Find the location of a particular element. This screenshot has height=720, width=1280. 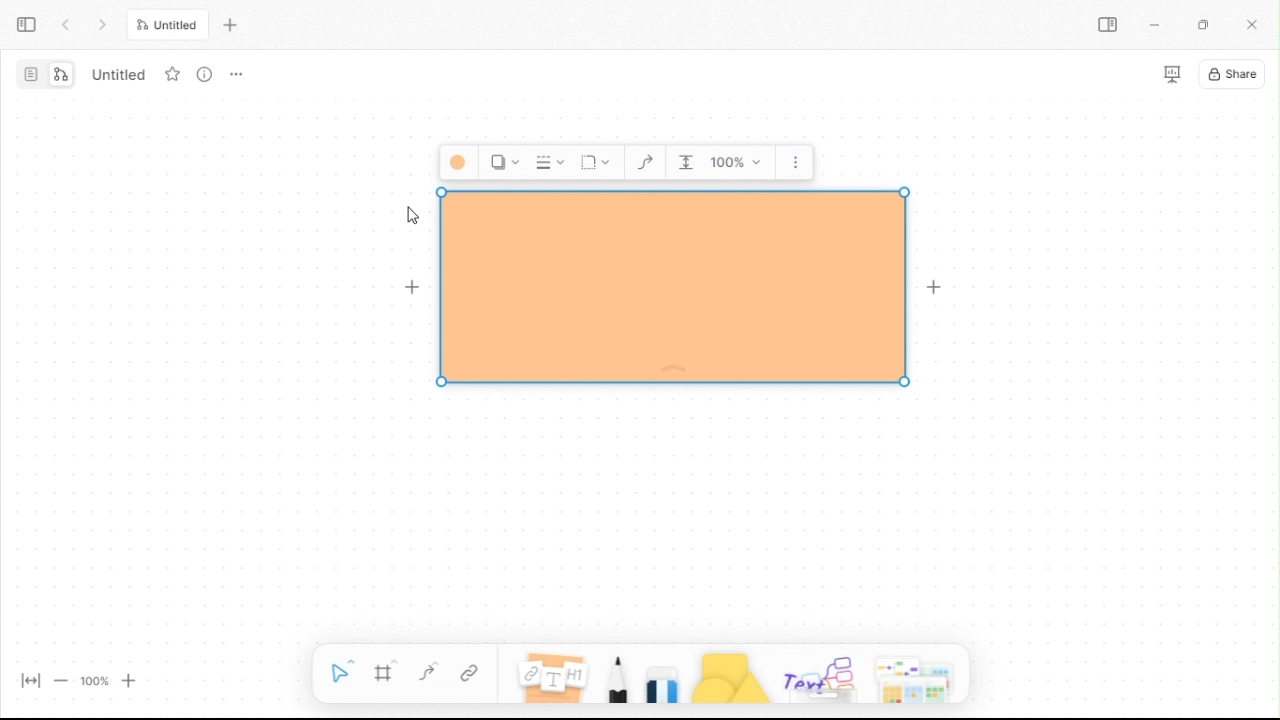

share is located at coordinates (1232, 73).